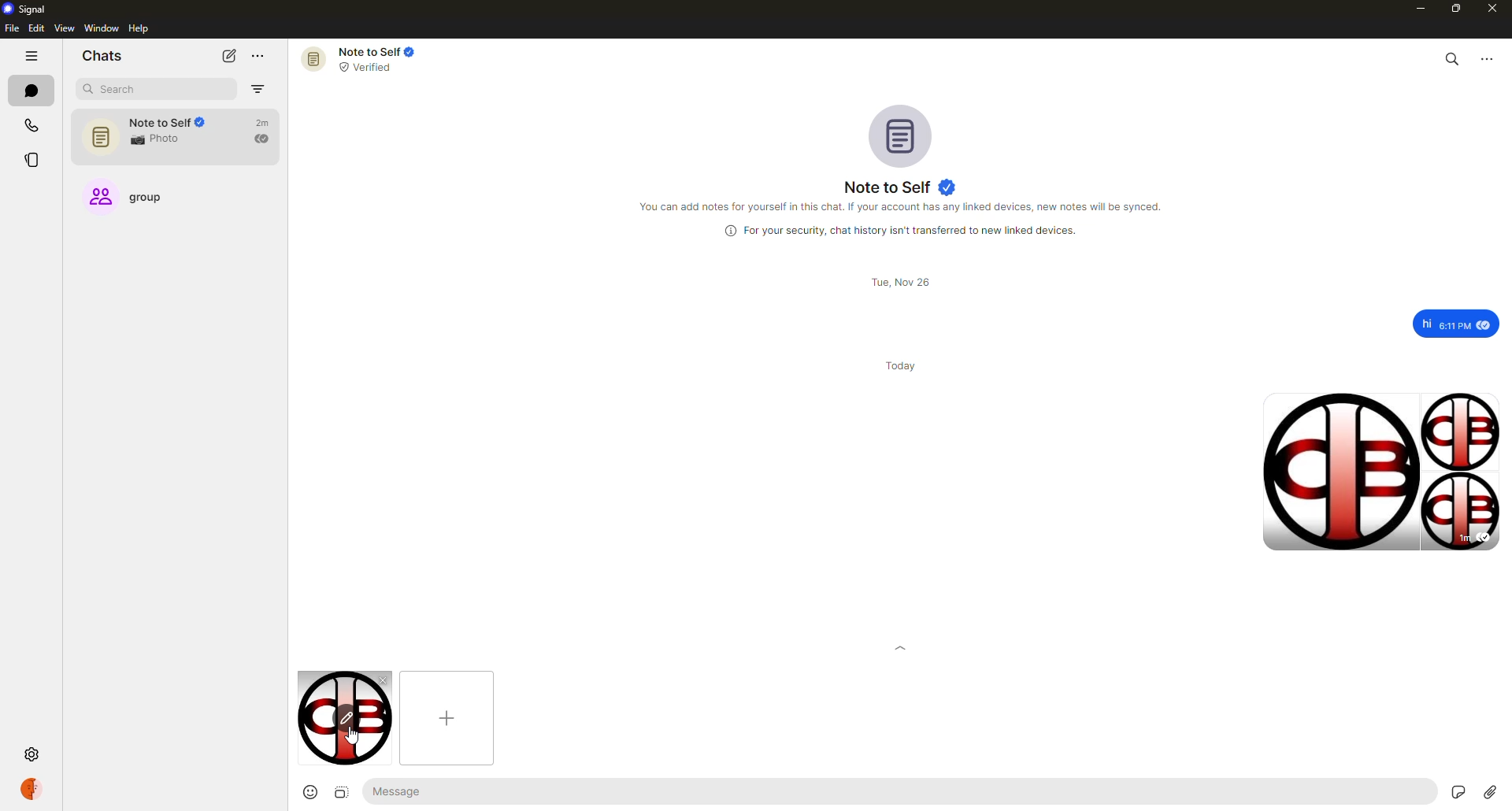 The width and height of the screenshot is (1512, 811). I want to click on add image, so click(446, 717).